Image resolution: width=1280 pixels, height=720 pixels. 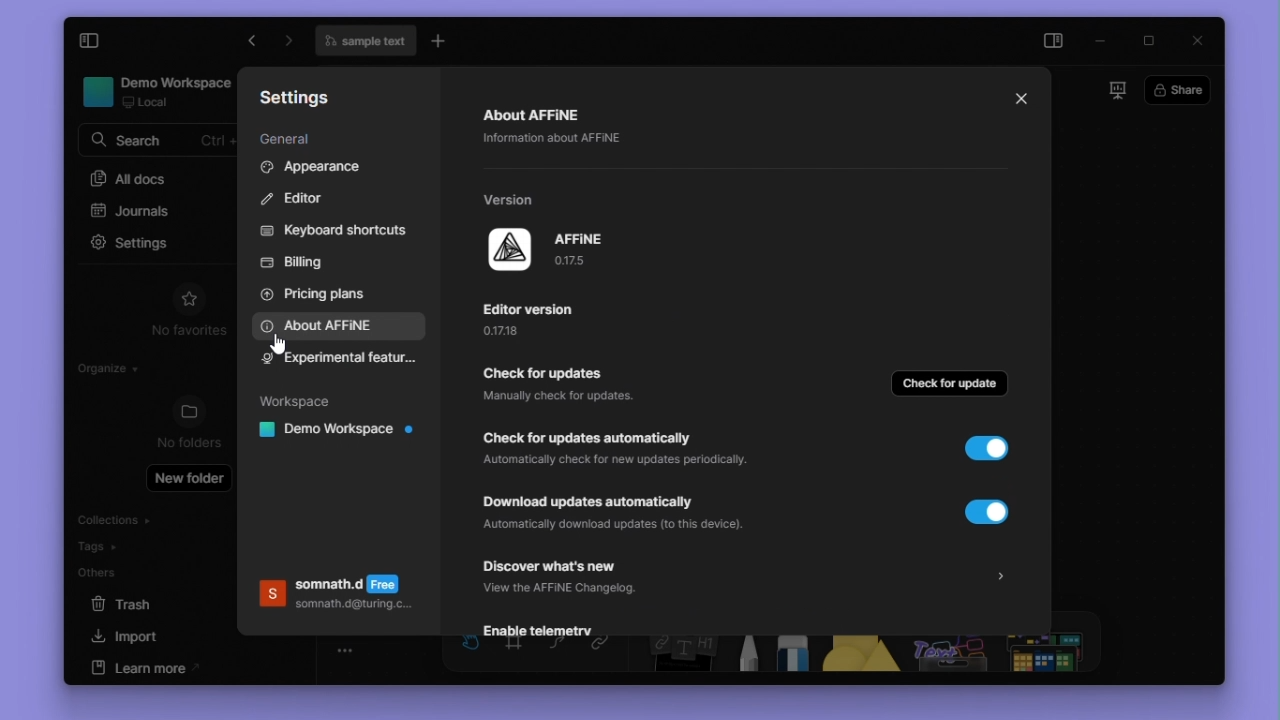 What do you see at coordinates (985, 512) in the screenshot?
I see `toggle button (ON)` at bounding box center [985, 512].